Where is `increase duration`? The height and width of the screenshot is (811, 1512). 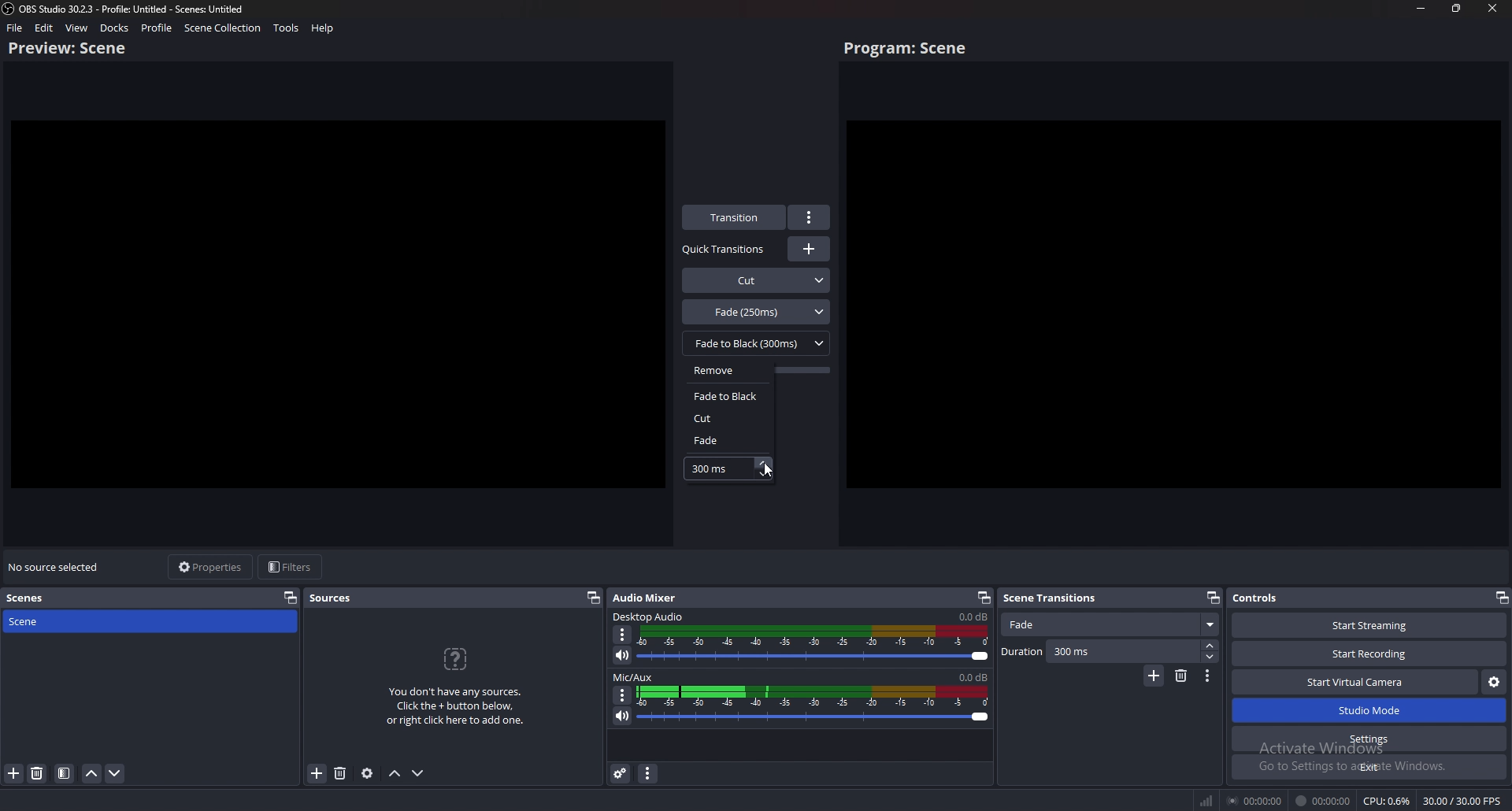
increase duration is located at coordinates (763, 461).